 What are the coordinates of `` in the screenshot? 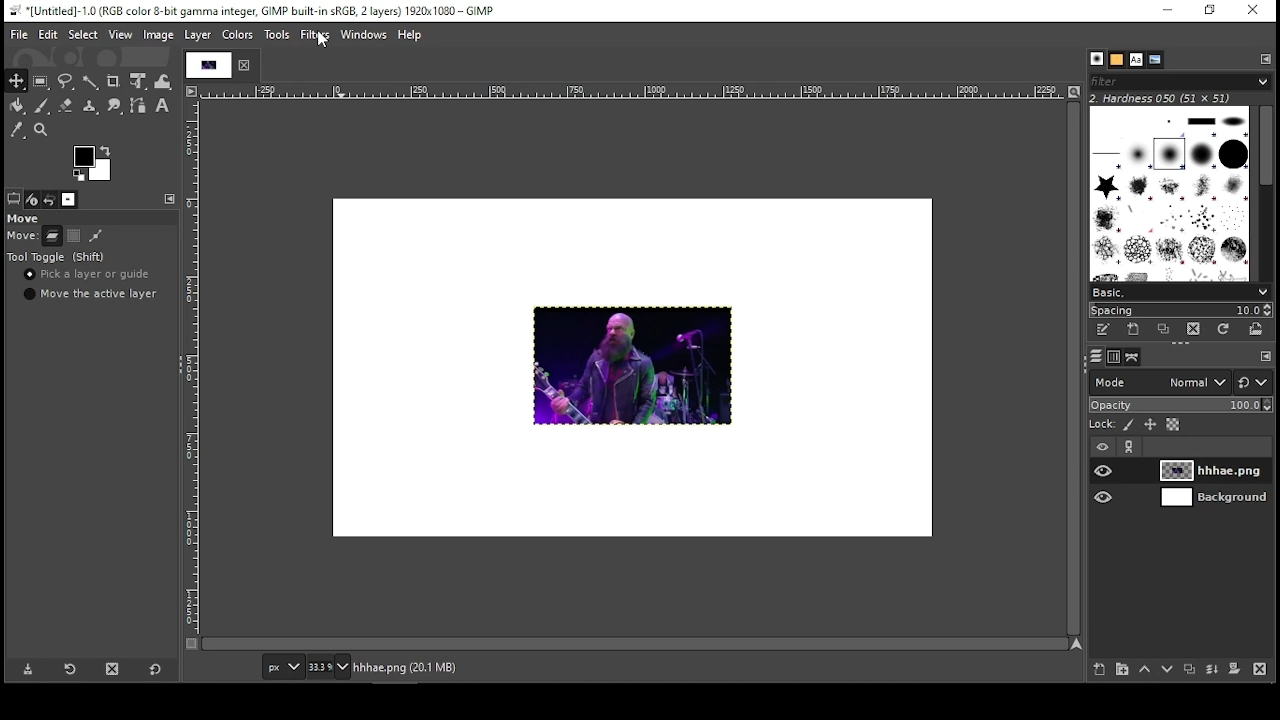 It's located at (331, 668).